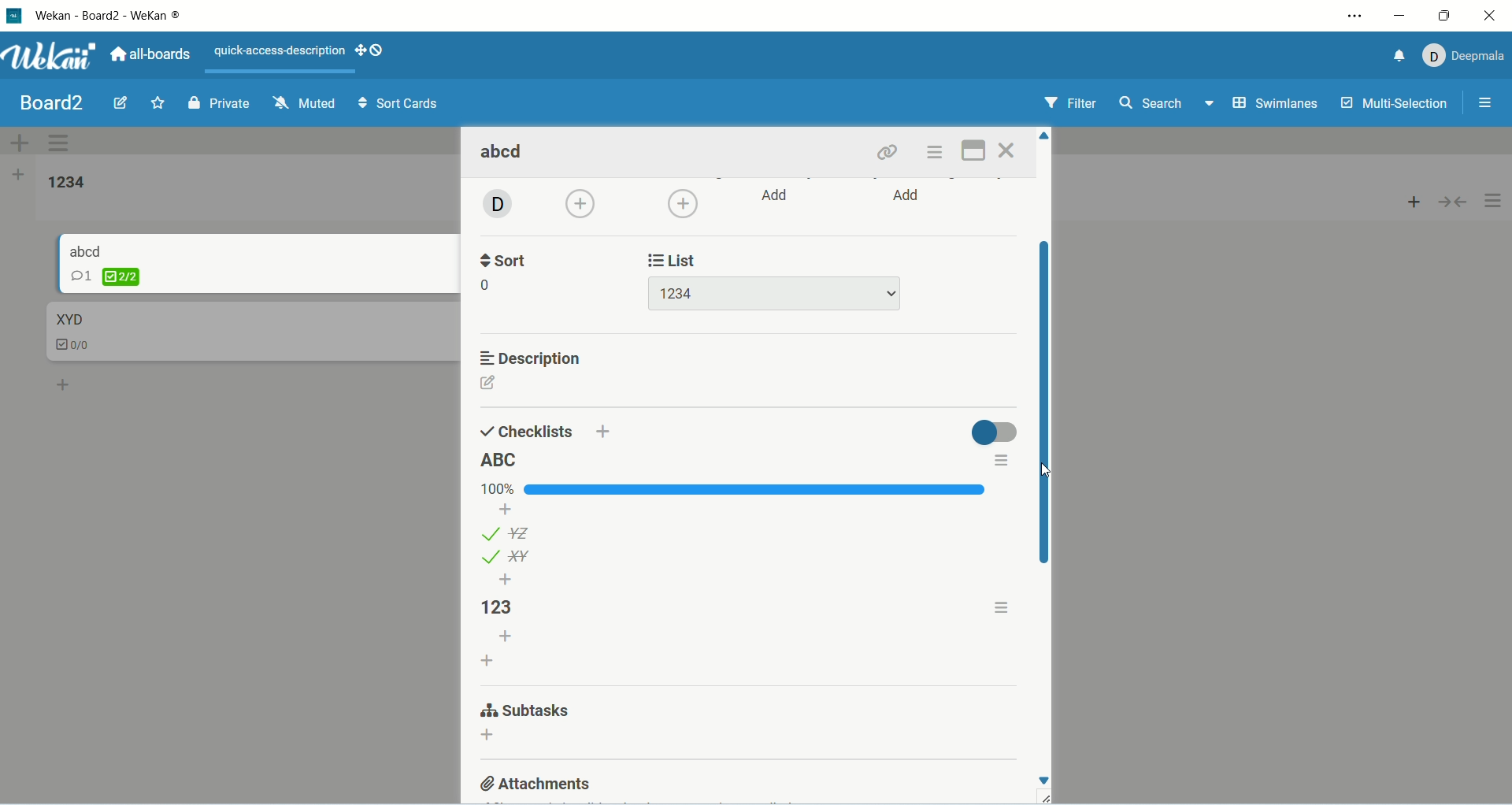 The image size is (1512, 805). I want to click on Down, so click(1043, 781).